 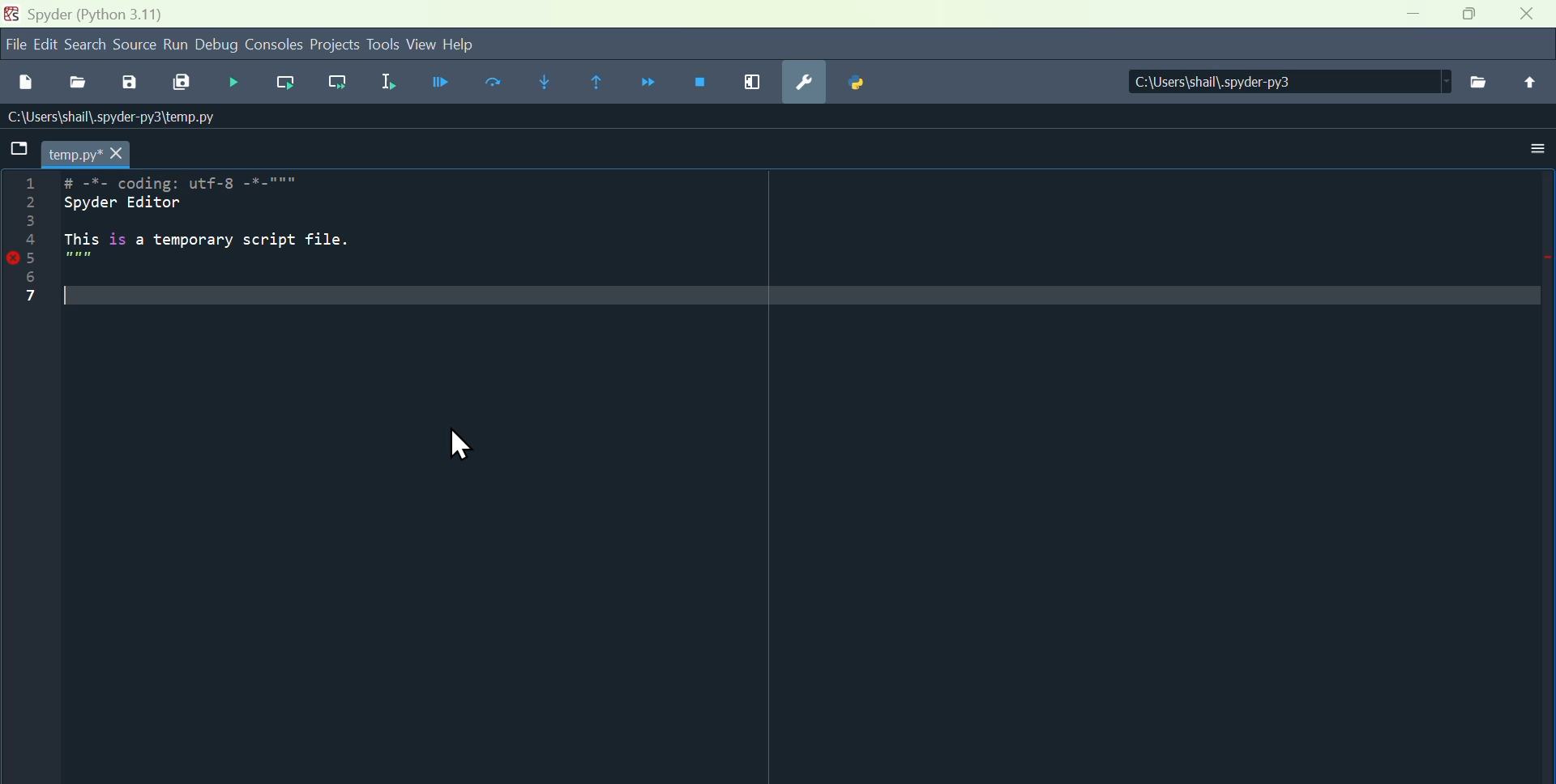 What do you see at coordinates (1471, 17) in the screenshot?
I see `maximise` at bounding box center [1471, 17].